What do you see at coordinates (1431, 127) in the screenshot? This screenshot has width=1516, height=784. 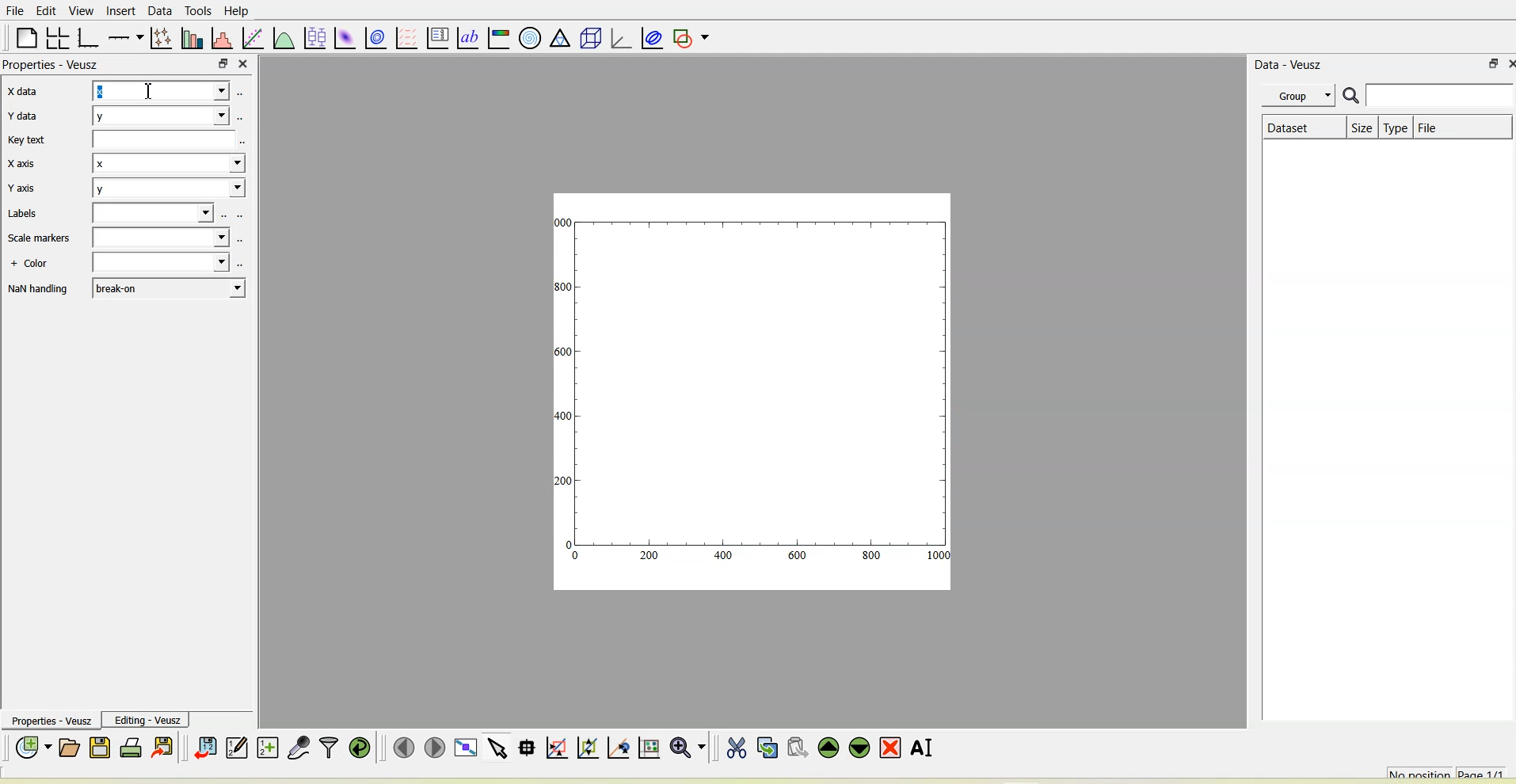 I see `File` at bounding box center [1431, 127].